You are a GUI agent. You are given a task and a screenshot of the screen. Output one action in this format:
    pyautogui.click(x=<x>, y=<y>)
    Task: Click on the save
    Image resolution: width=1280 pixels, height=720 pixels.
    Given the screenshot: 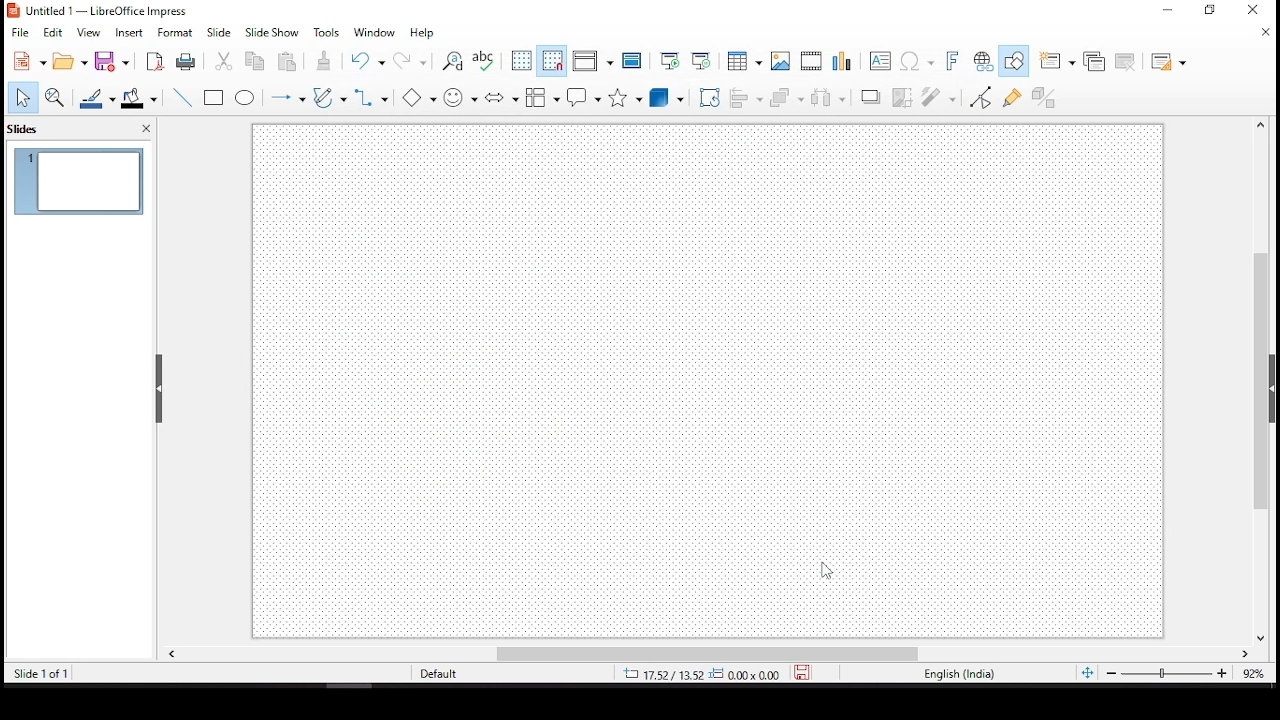 What is the action you would take?
    pyautogui.click(x=804, y=673)
    